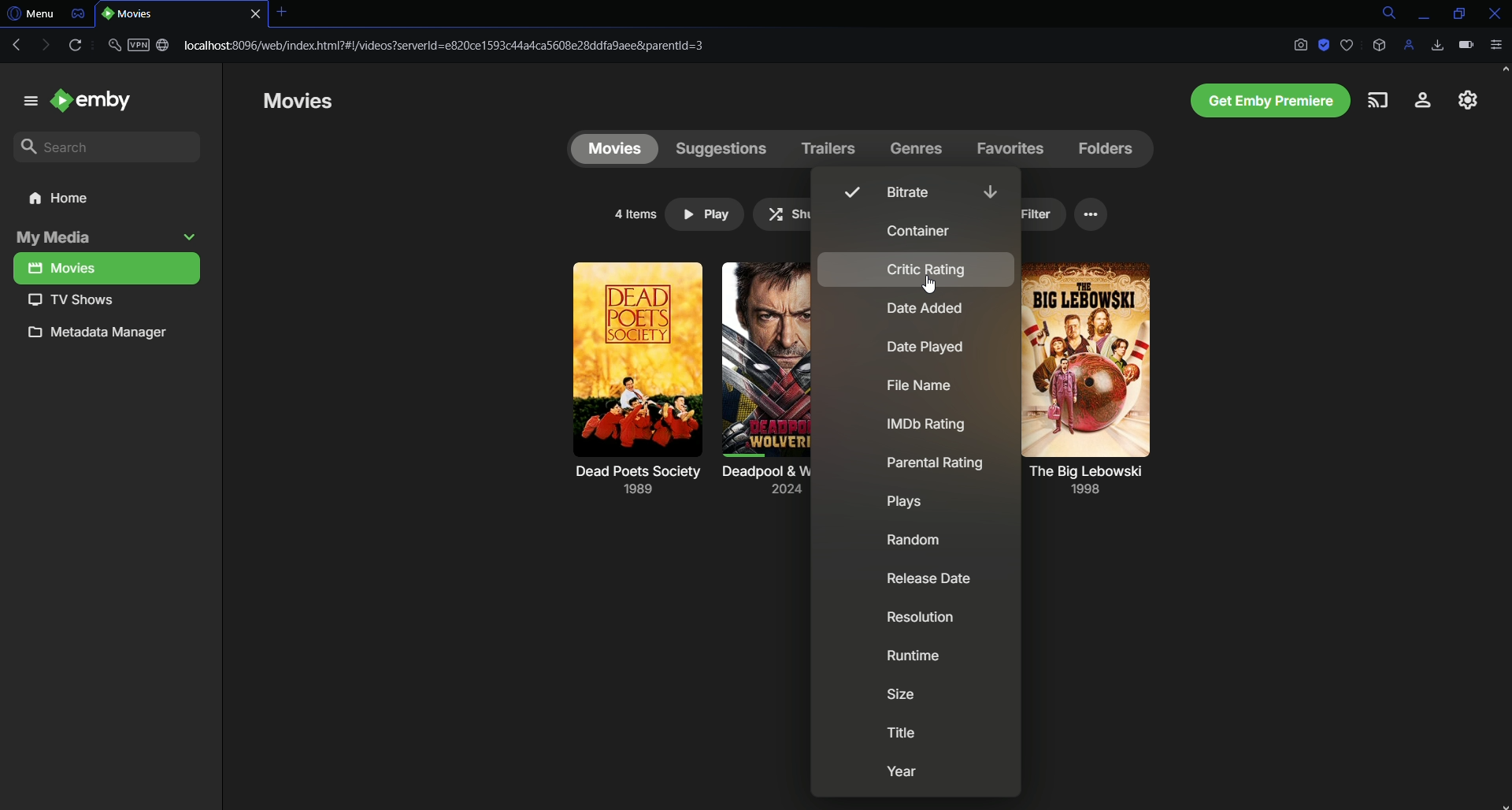  I want to click on Bitrate, so click(913, 193).